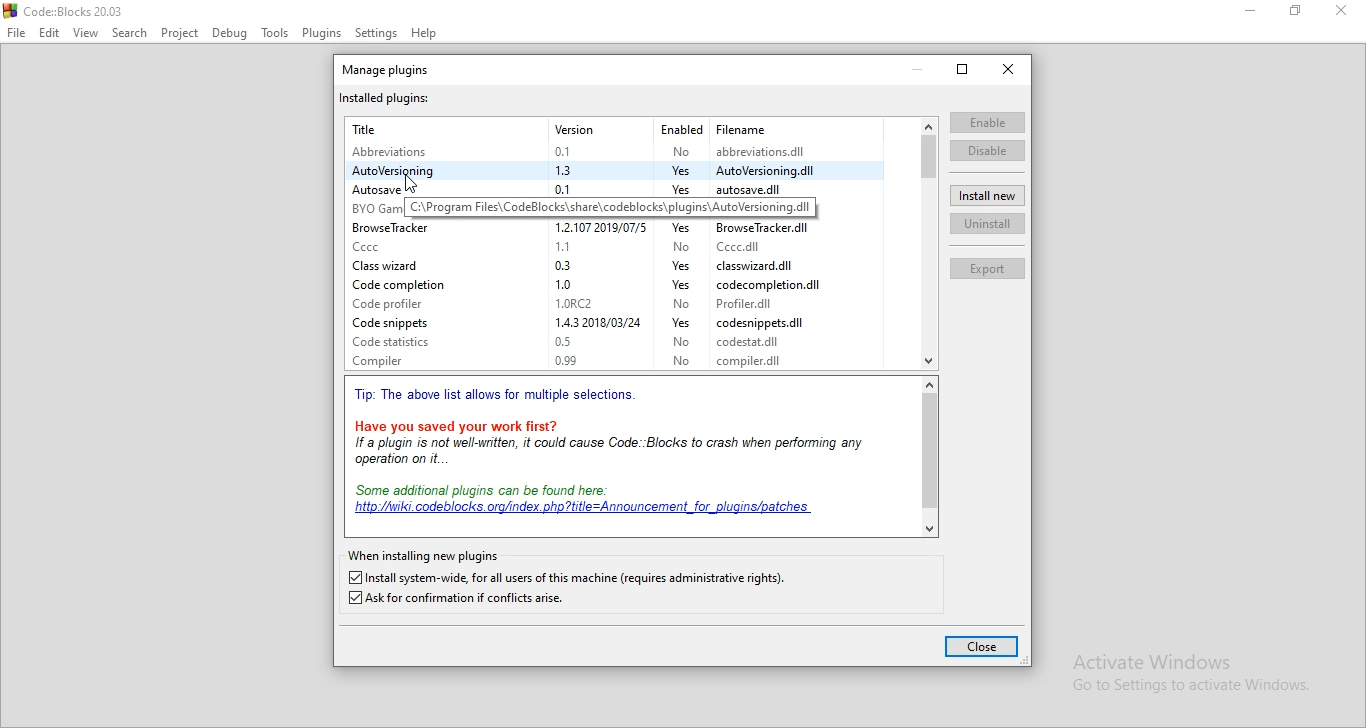  I want to click on 1.1, so click(569, 244).